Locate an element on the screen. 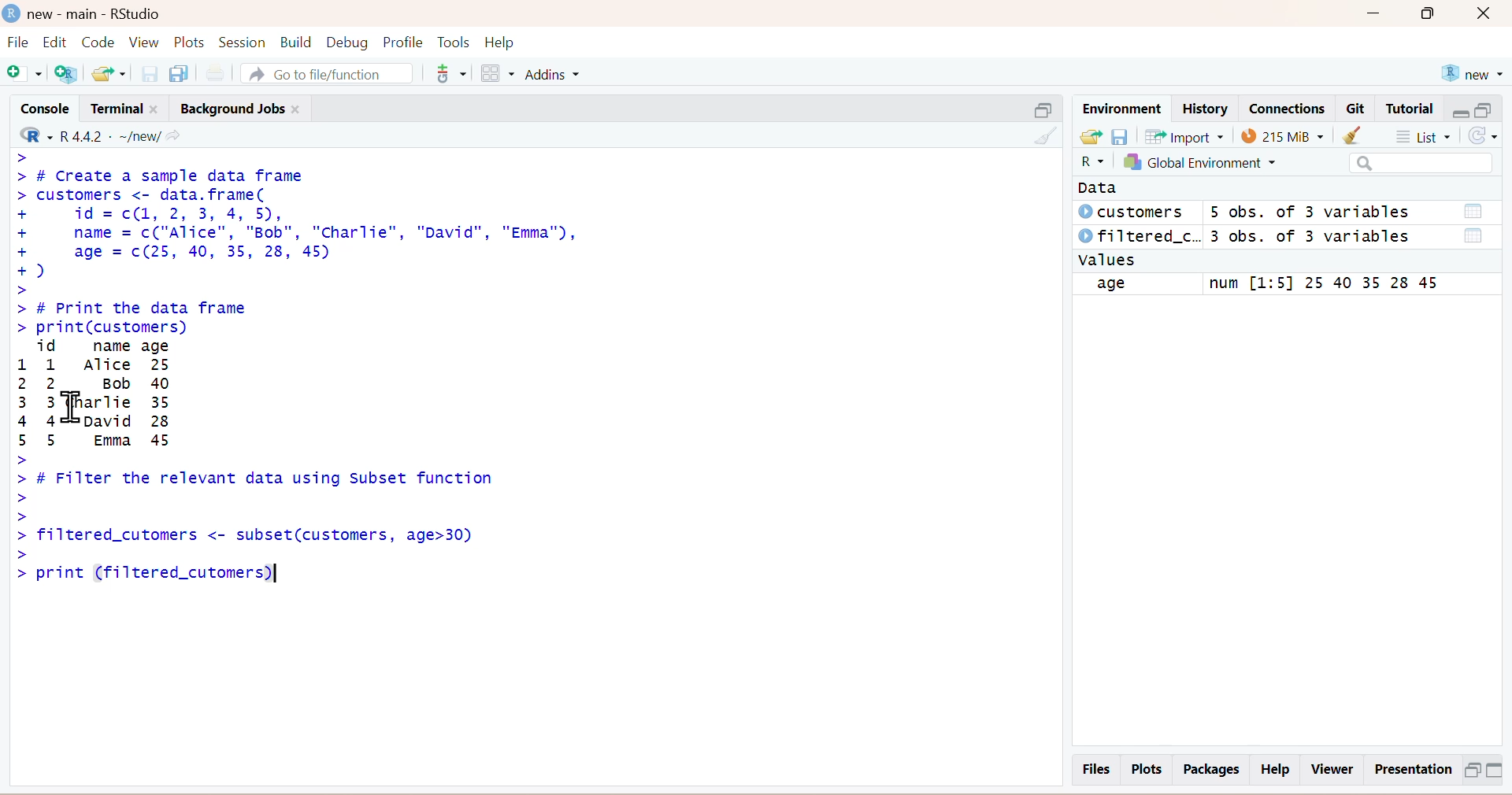 The image size is (1512, 795). A Go to file/function is located at coordinates (324, 72).